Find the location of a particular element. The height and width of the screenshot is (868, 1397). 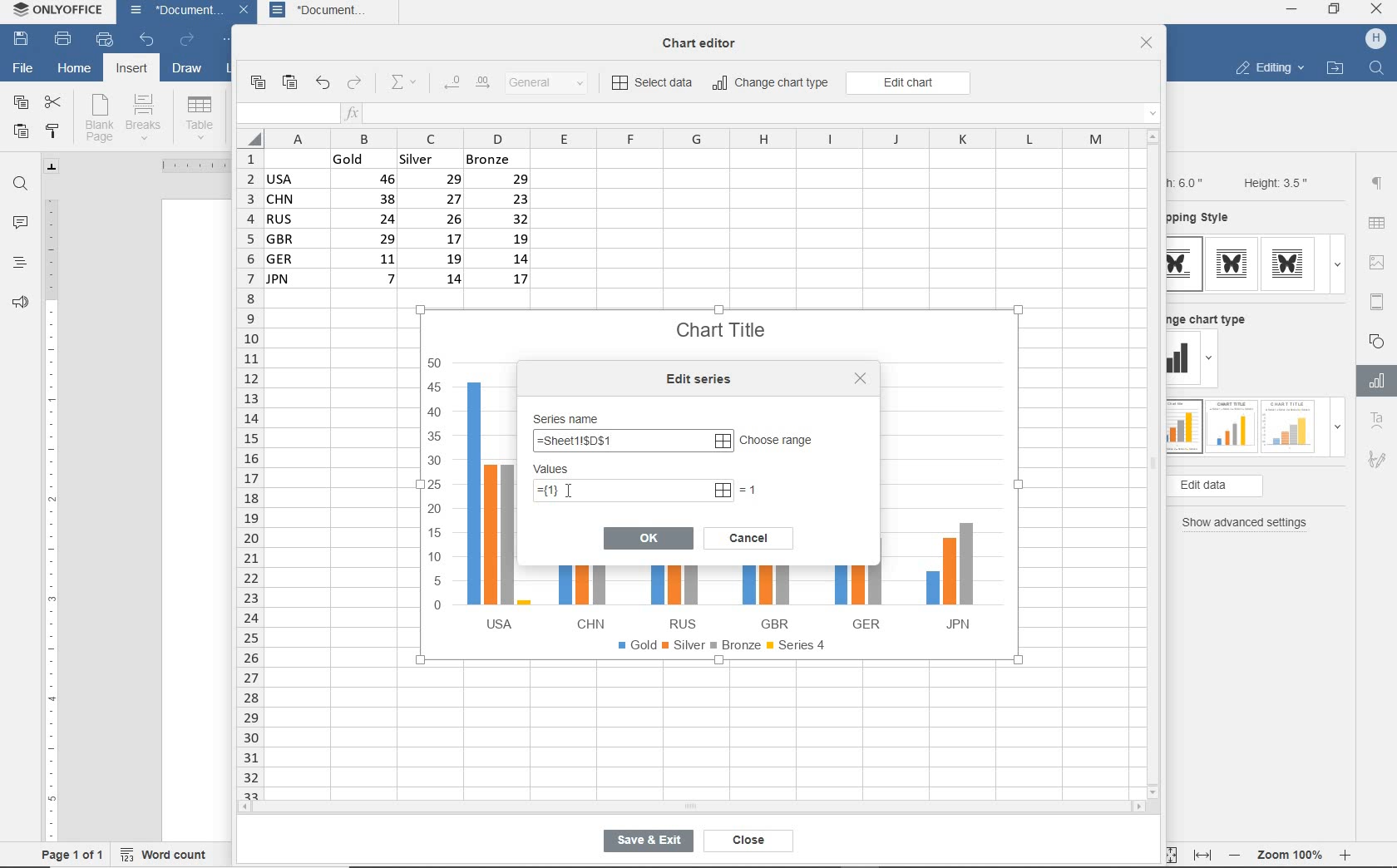

Chart settings is located at coordinates (1374, 381).